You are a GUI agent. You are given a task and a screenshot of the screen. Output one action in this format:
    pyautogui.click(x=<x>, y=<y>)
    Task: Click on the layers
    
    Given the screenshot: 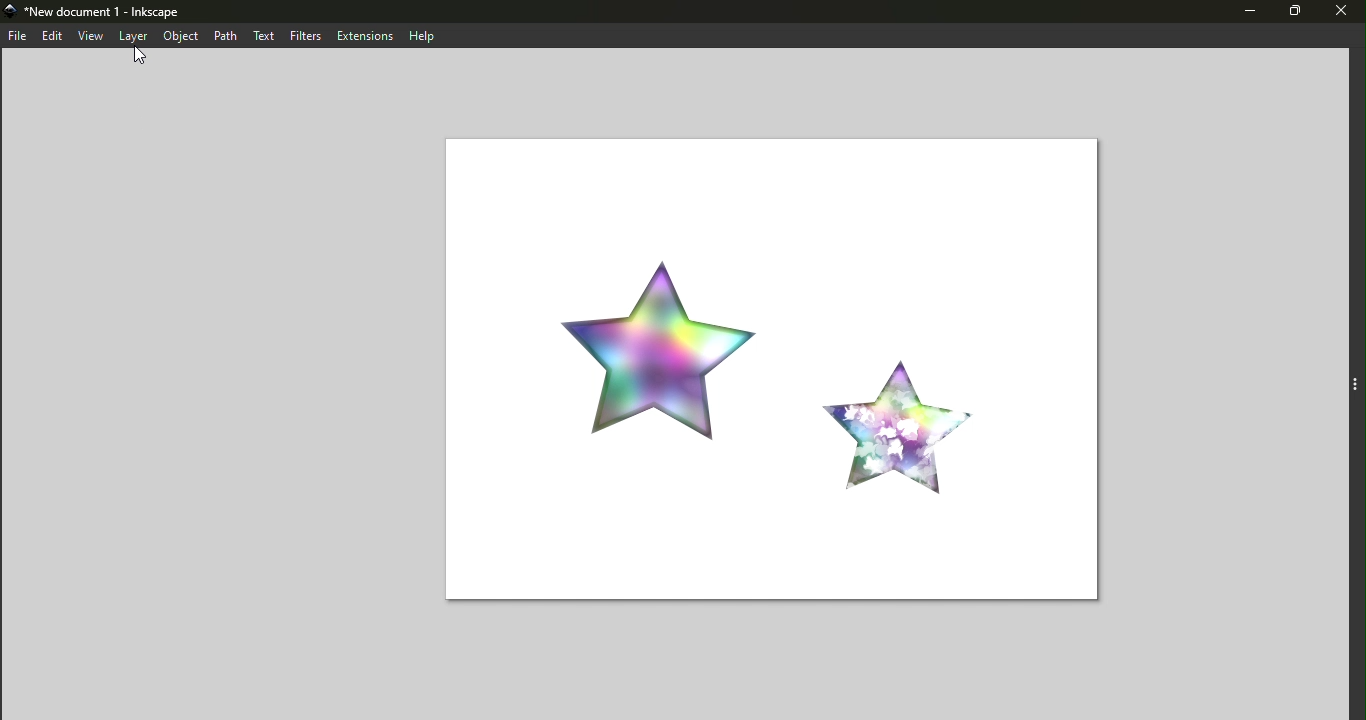 What is the action you would take?
    pyautogui.click(x=129, y=37)
    